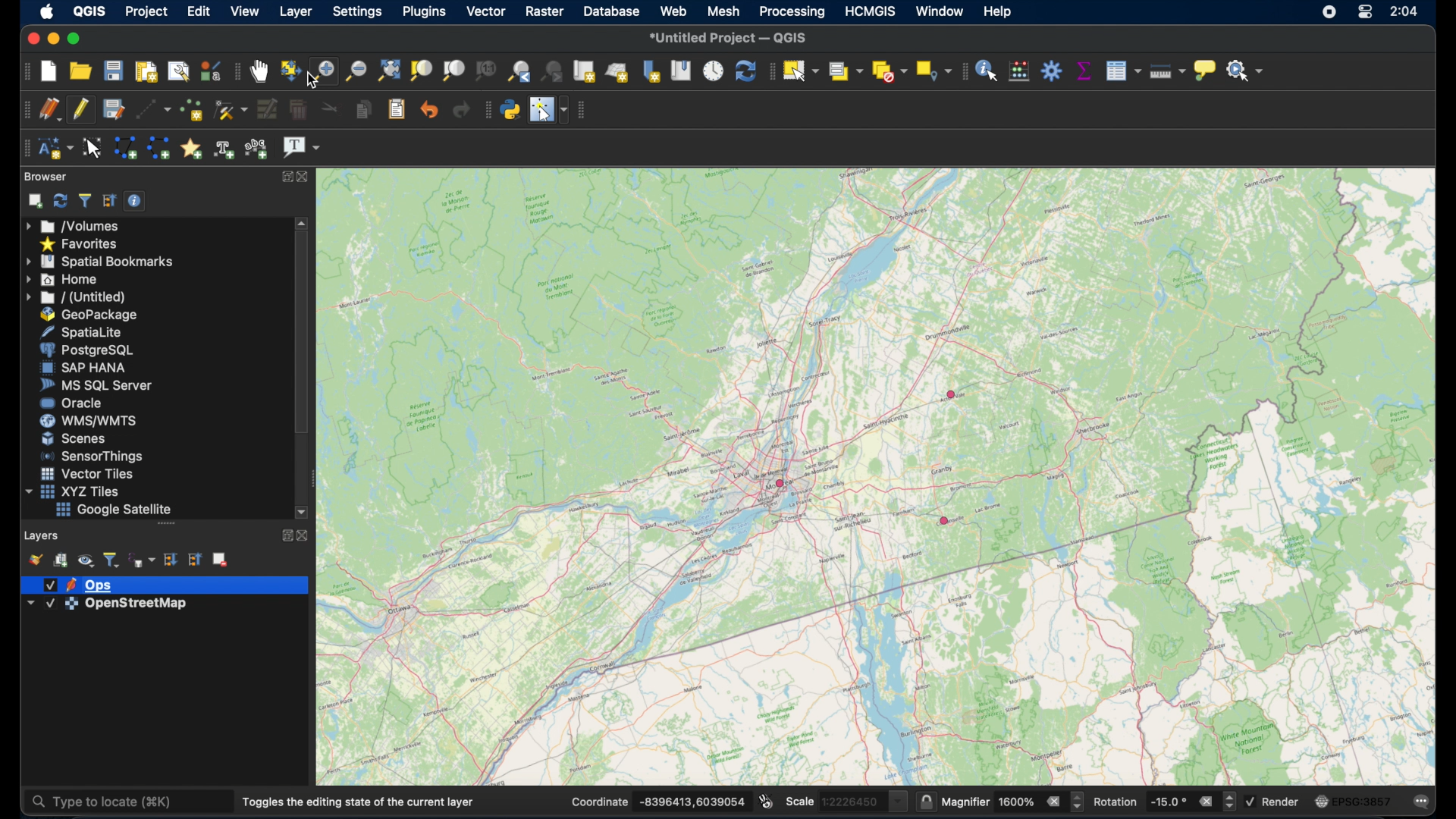  What do you see at coordinates (219, 558) in the screenshot?
I see `remove layer group` at bounding box center [219, 558].